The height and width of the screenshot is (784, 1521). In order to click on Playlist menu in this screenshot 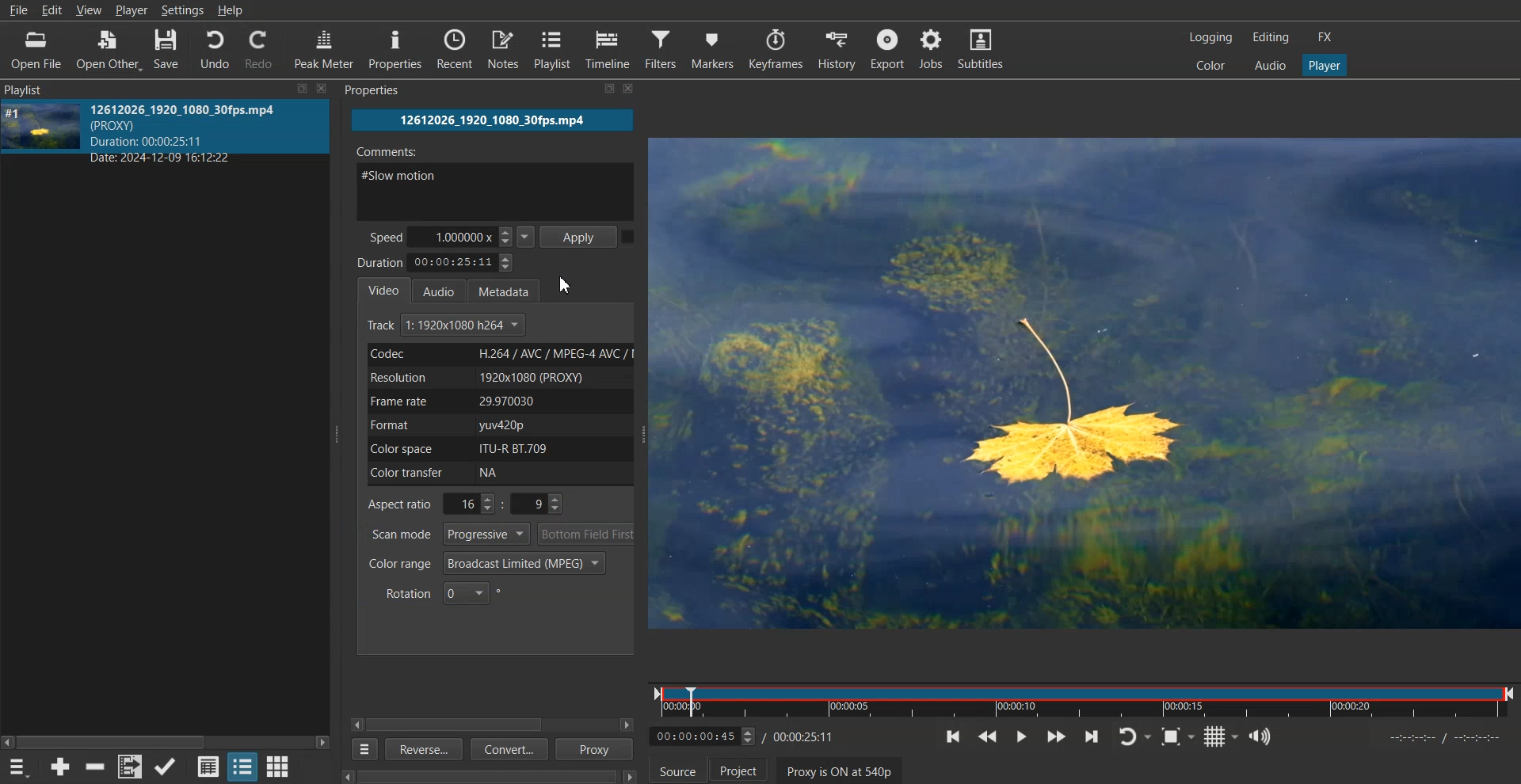, I will do `click(21, 767)`.